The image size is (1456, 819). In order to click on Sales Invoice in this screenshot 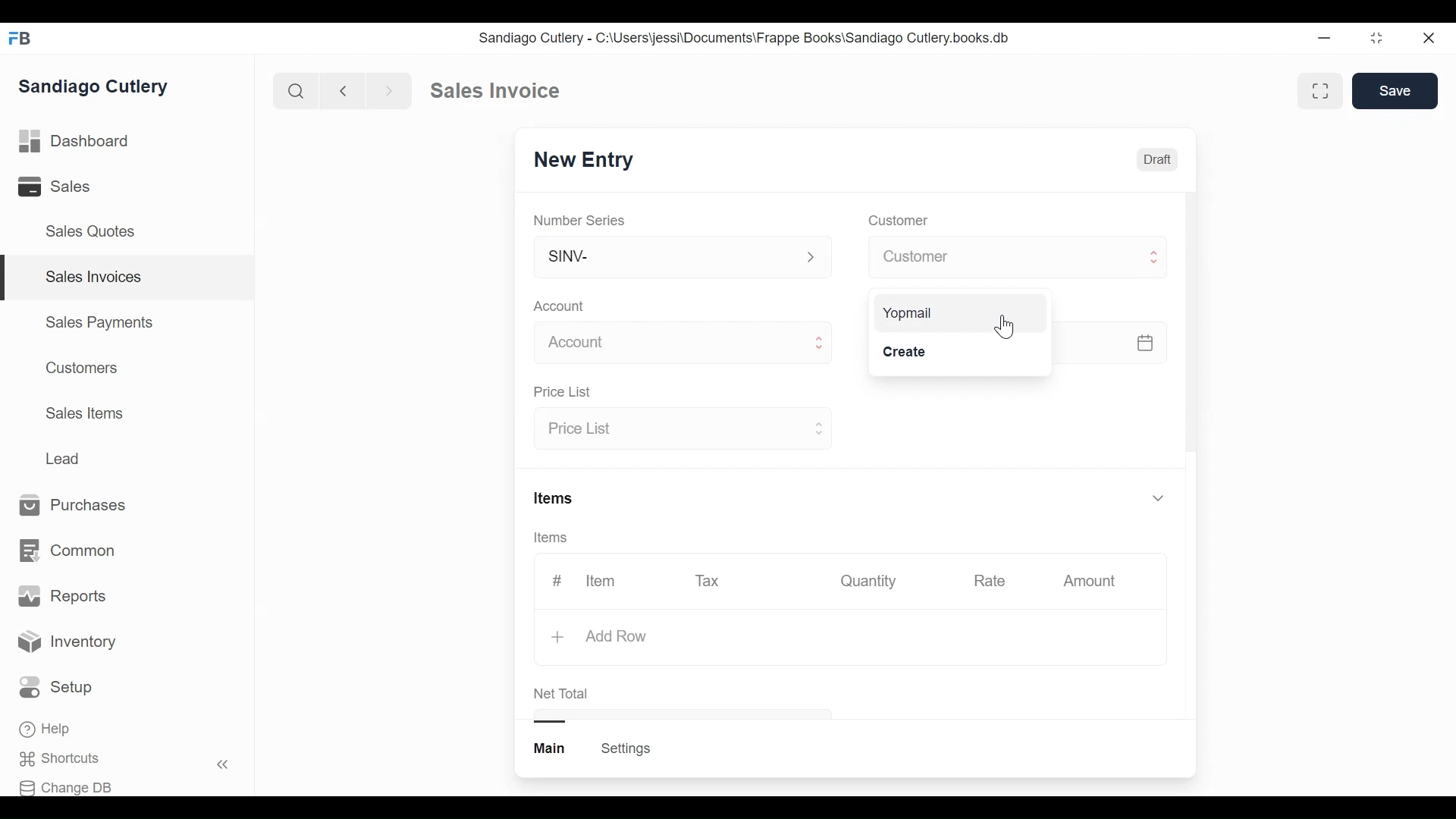, I will do `click(494, 91)`.